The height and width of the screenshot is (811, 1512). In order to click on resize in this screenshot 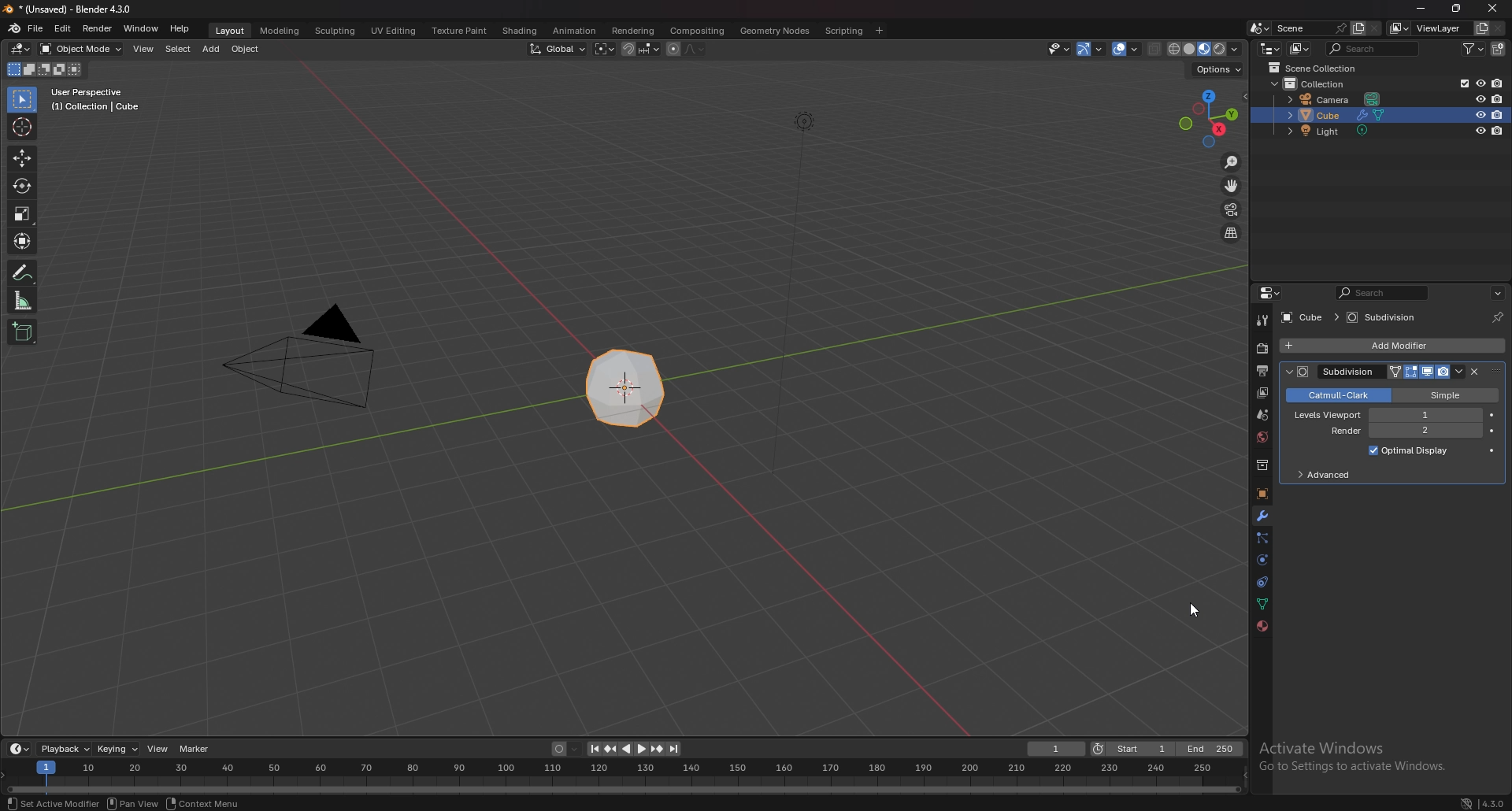, I will do `click(1455, 8)`.